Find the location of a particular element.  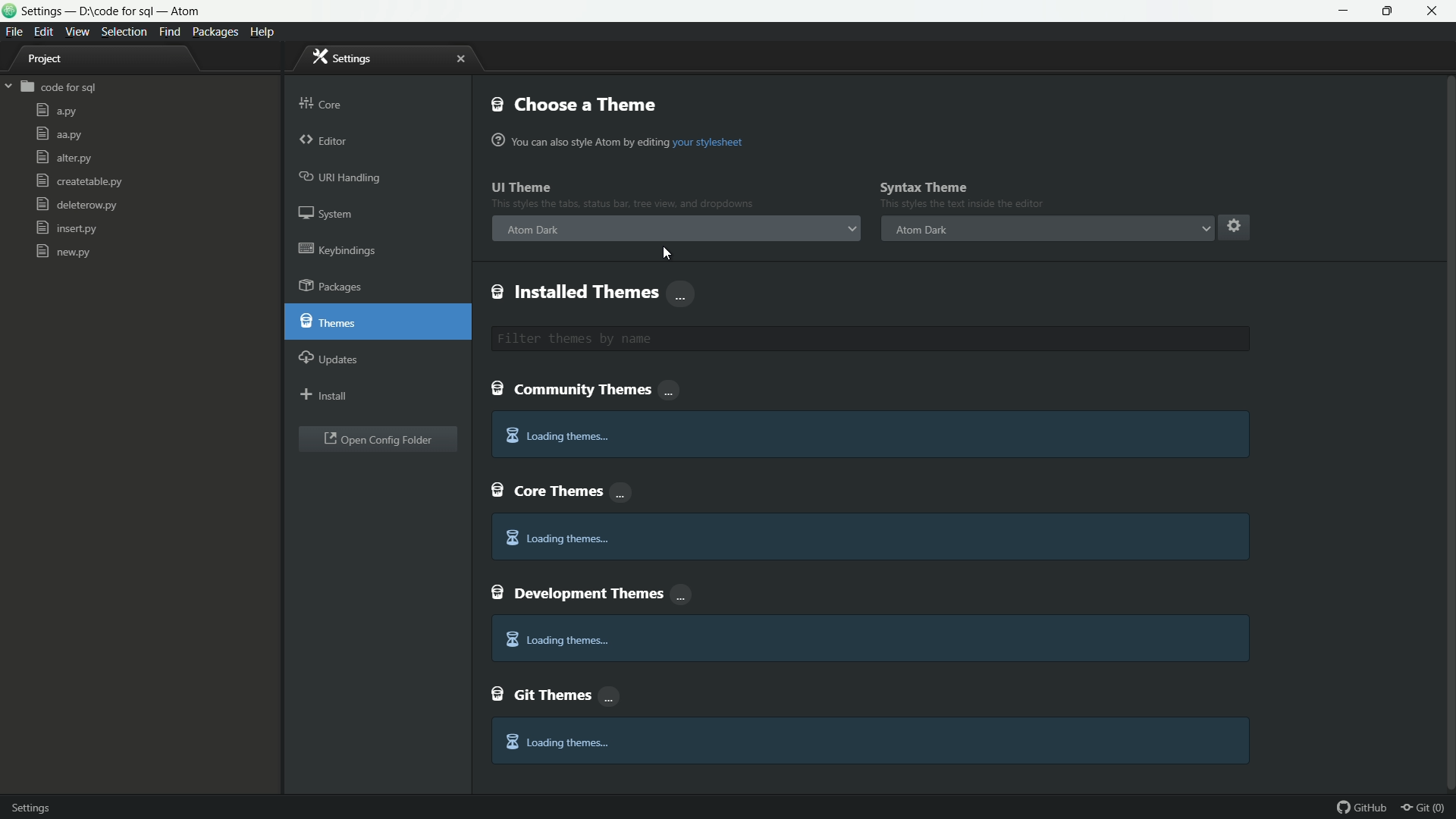

installed themes is located at coordinates (594, 293).